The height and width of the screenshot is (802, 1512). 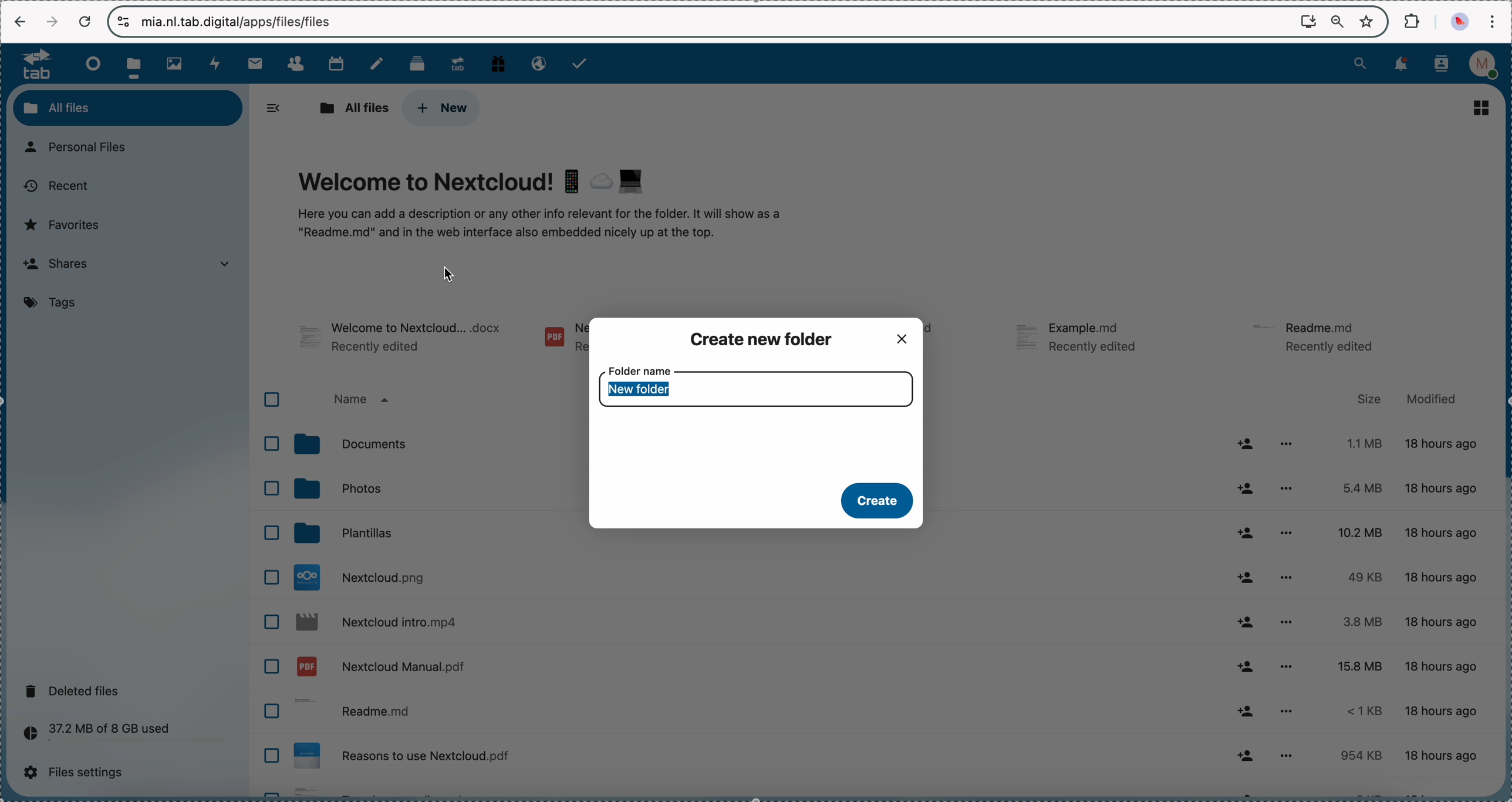 What do you see at coordinates (751, 577) in the screenshot?
I see `file` at bounding box center [751, 577].